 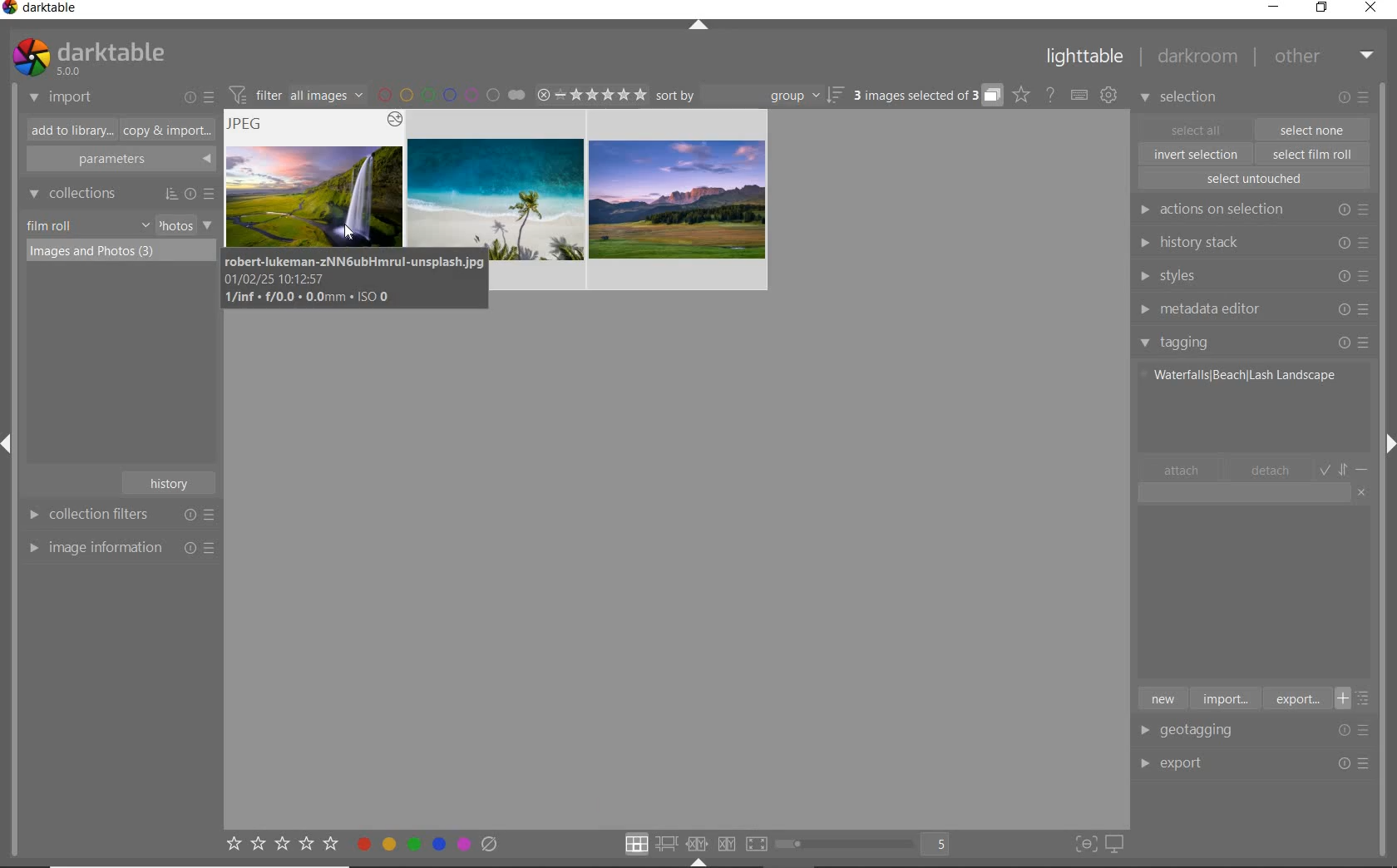 What do you see at coordinates (281, 846) in the screenshot?
I see `set star rating for selected images` at bounding box center [281, 846].